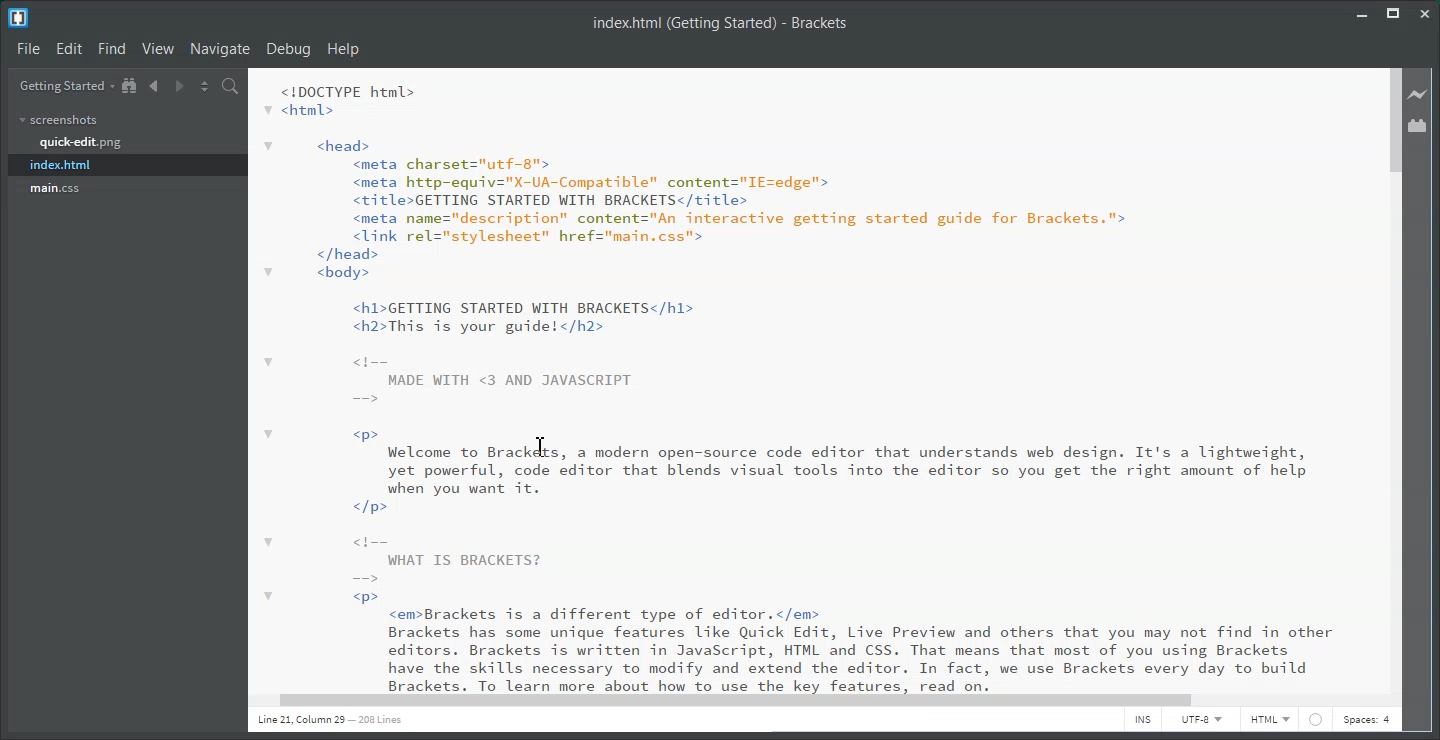  What do you see at coordinates (1202, 721) in the screenshot?
I see `UTF-8` at bounding box center [1202, 721].